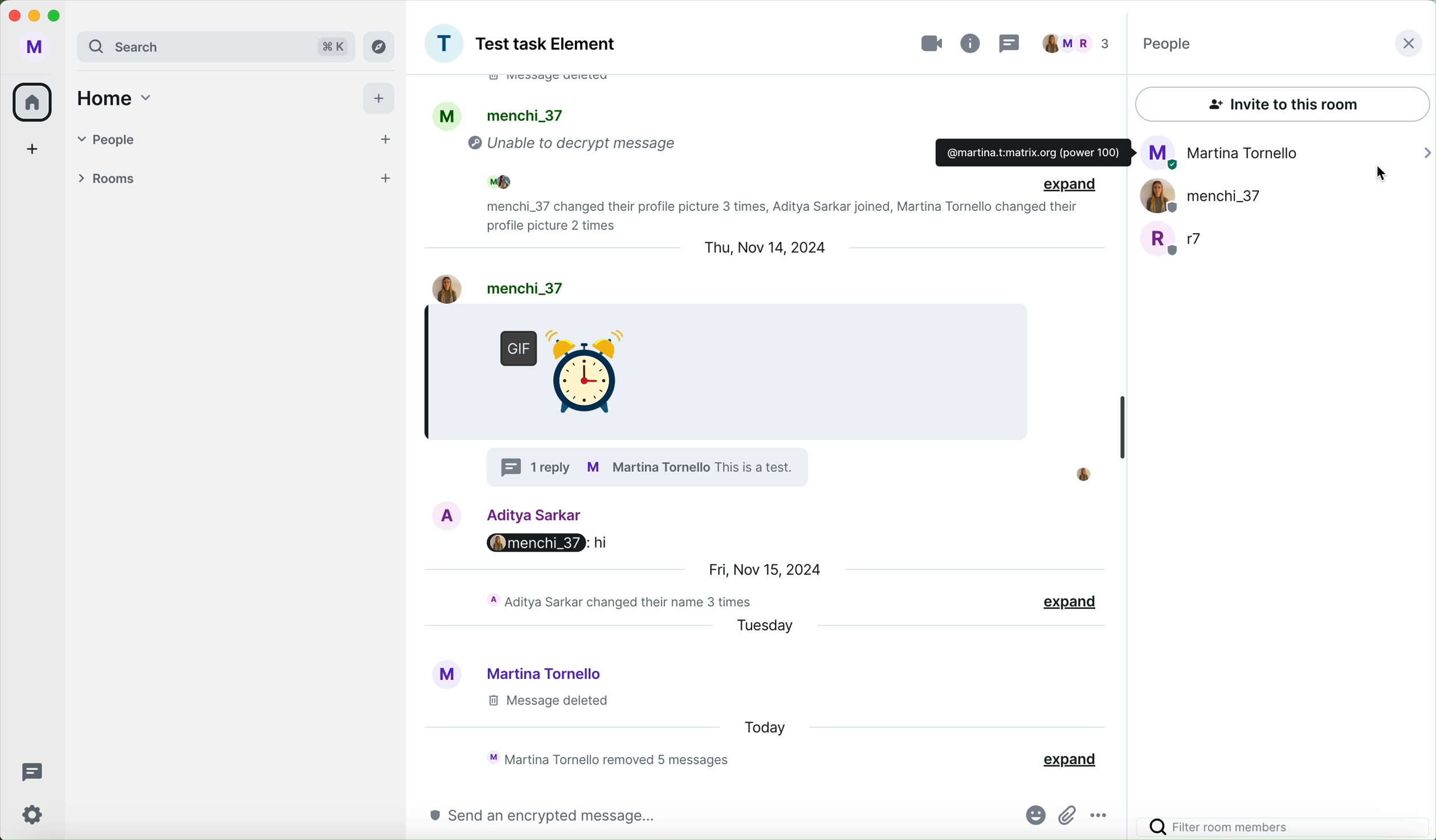 This screenshot has height=840, width=1436. I want to click on explore, so click(380, 46).